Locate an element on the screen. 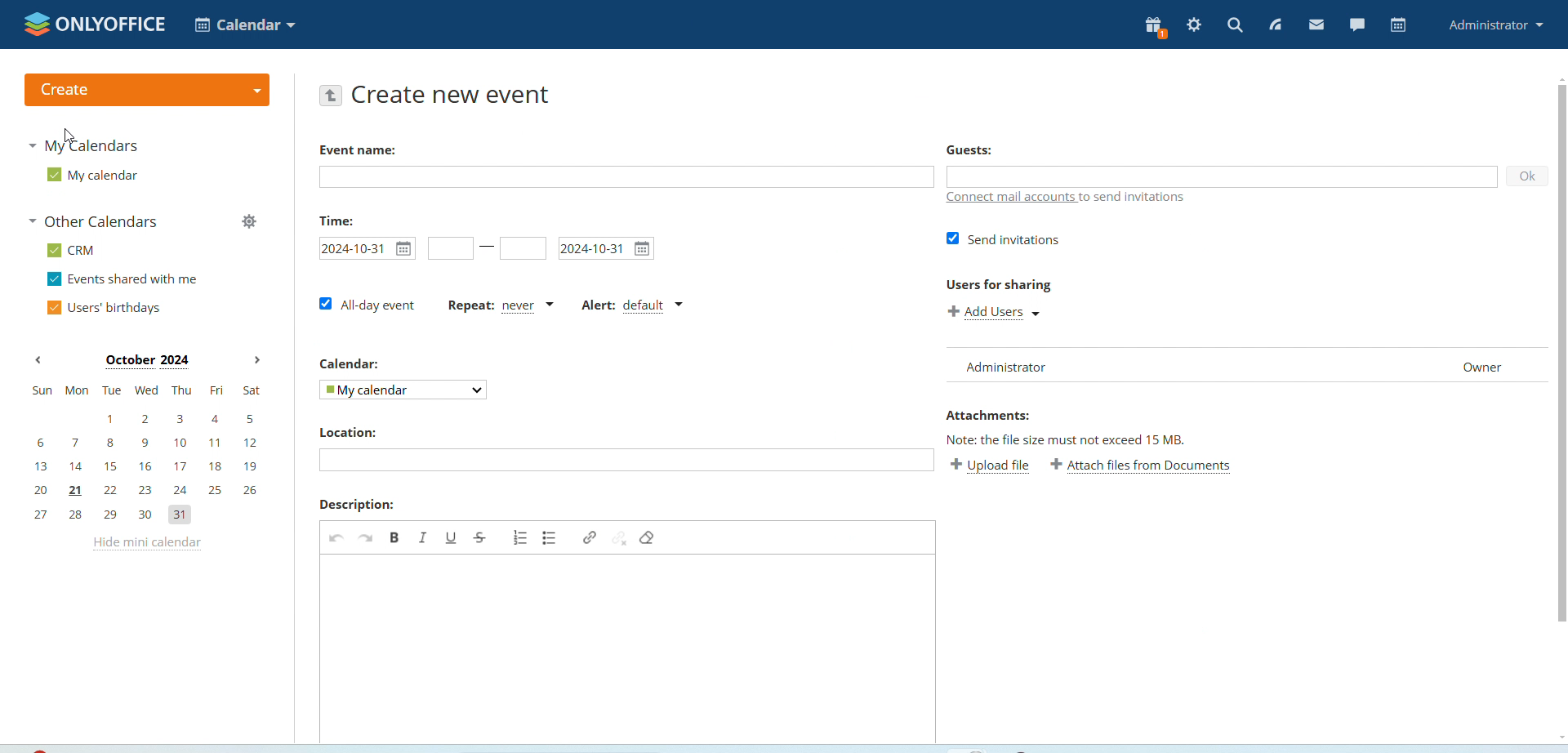 The width and height of the screenshot is (1568, 753). cursor is located at coordinates (66, 136).